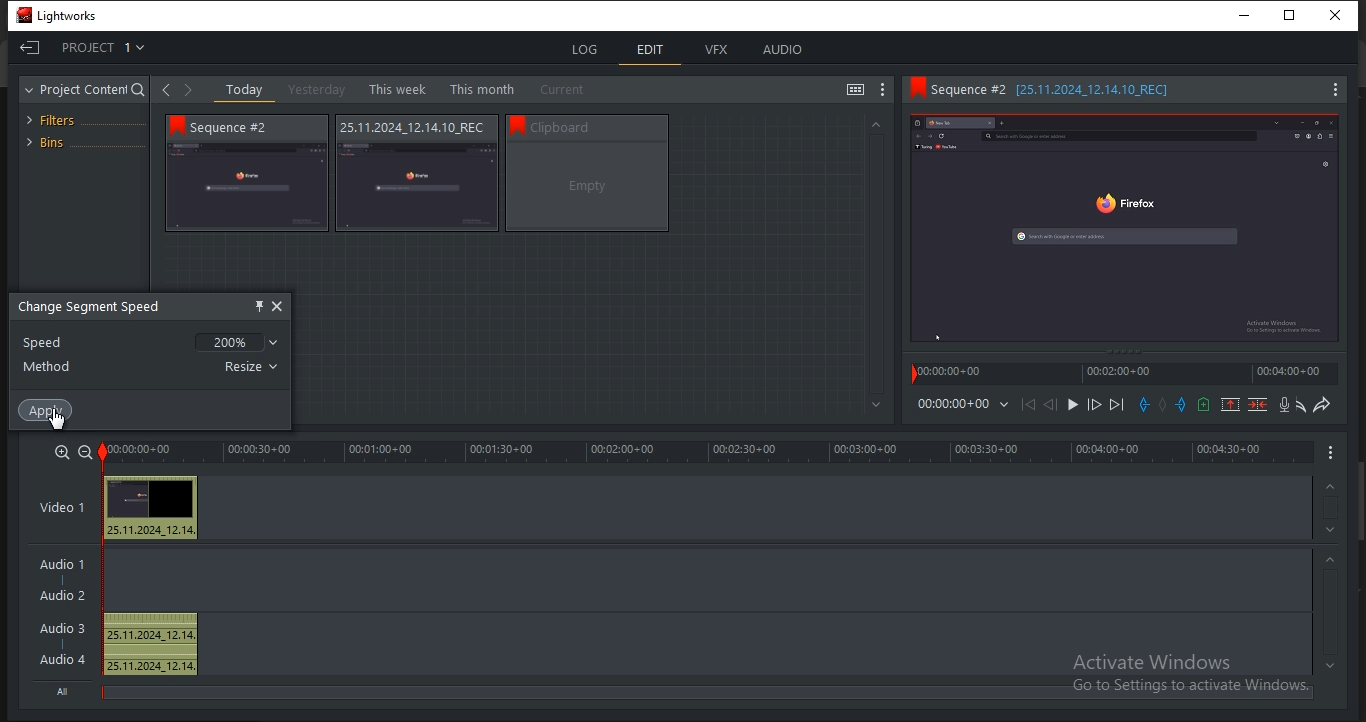 Image resolution: width=1366 pixels, height=722 pixels. What do you see at coordinates (85, 451) in the screenshot?
I see `zoom out` at bounding box center [85, 451].